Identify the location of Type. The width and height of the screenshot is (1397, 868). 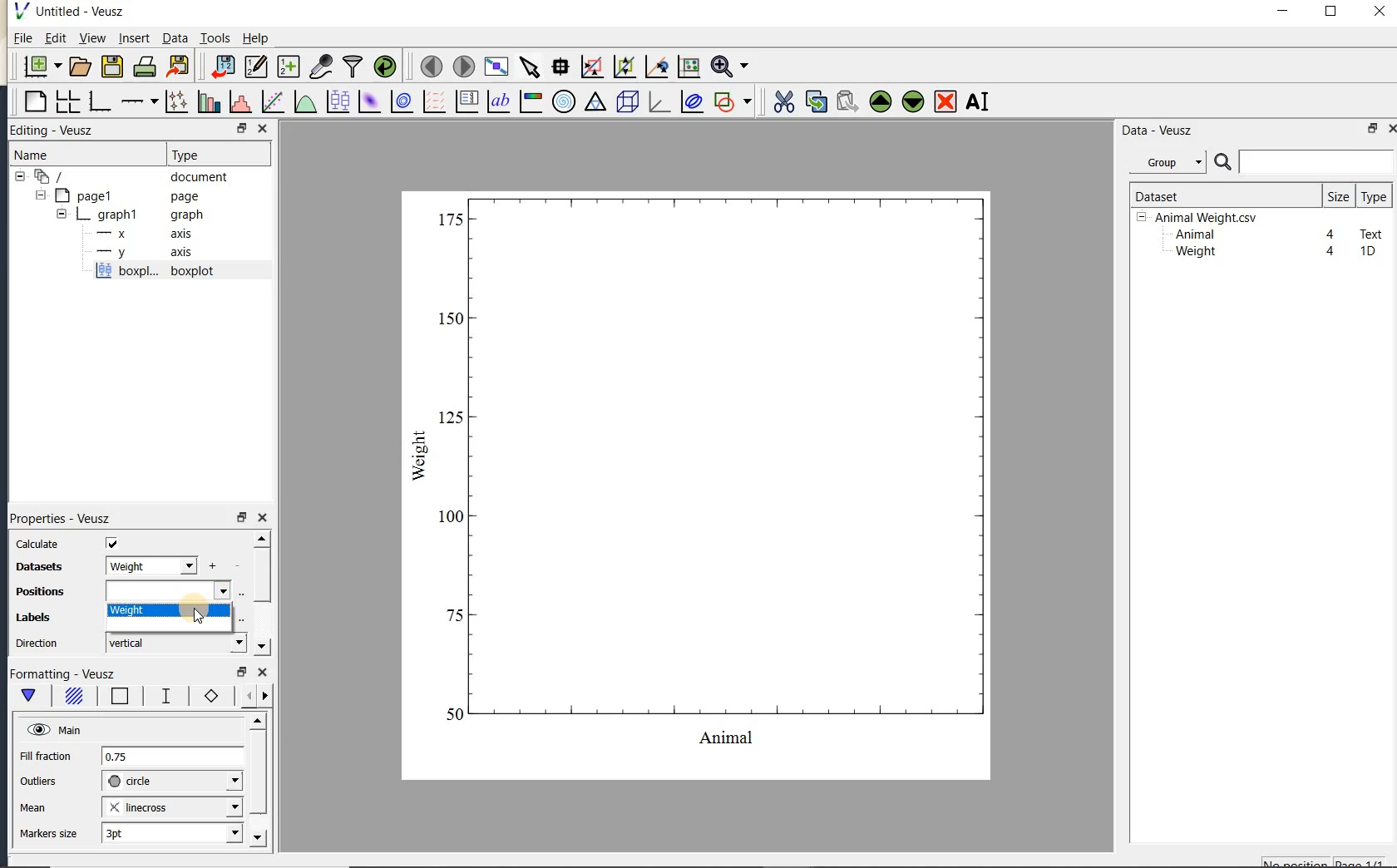
(215, 153).